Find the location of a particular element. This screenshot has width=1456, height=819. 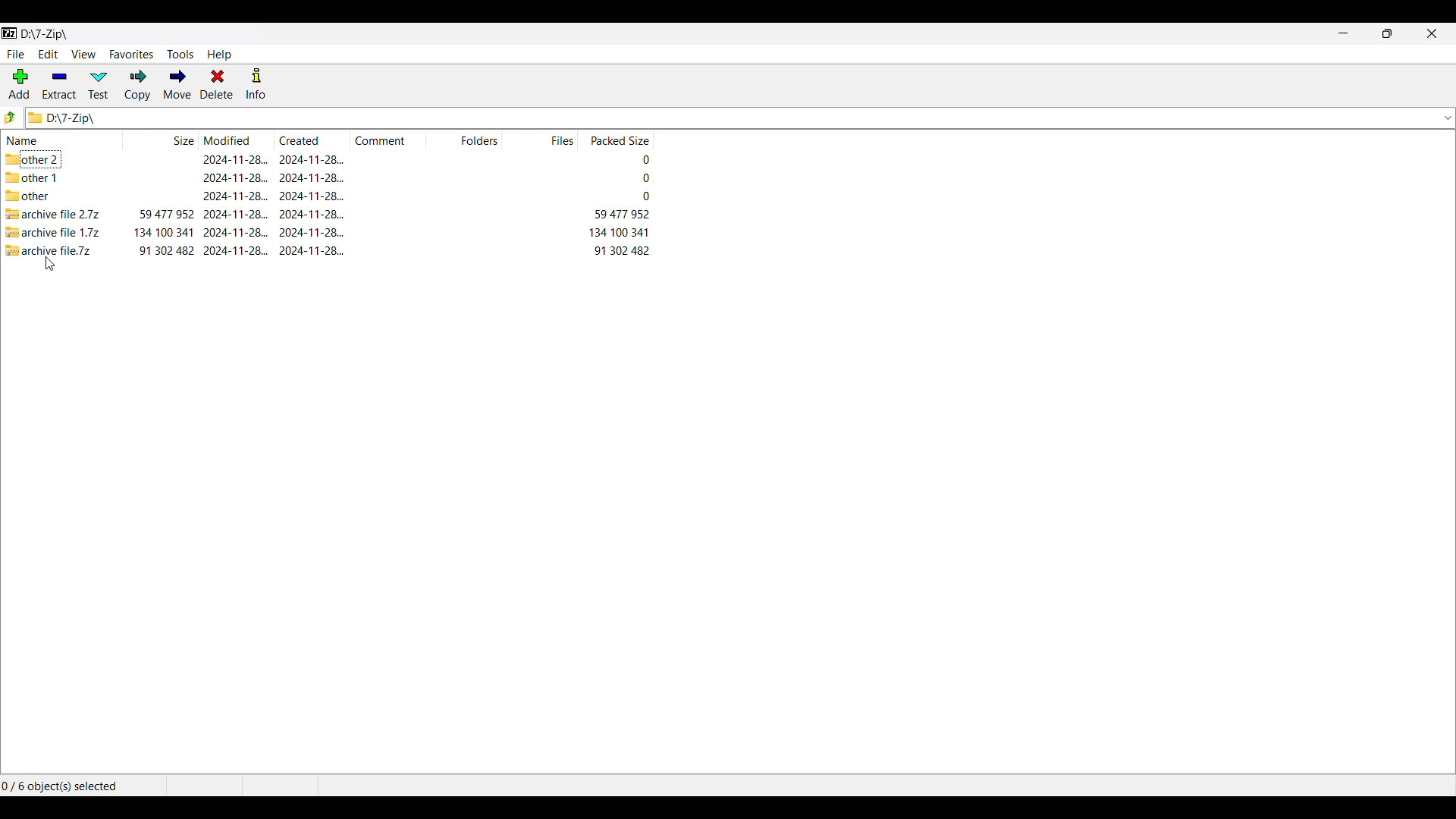

Size column is located at coordinates (162, 139).